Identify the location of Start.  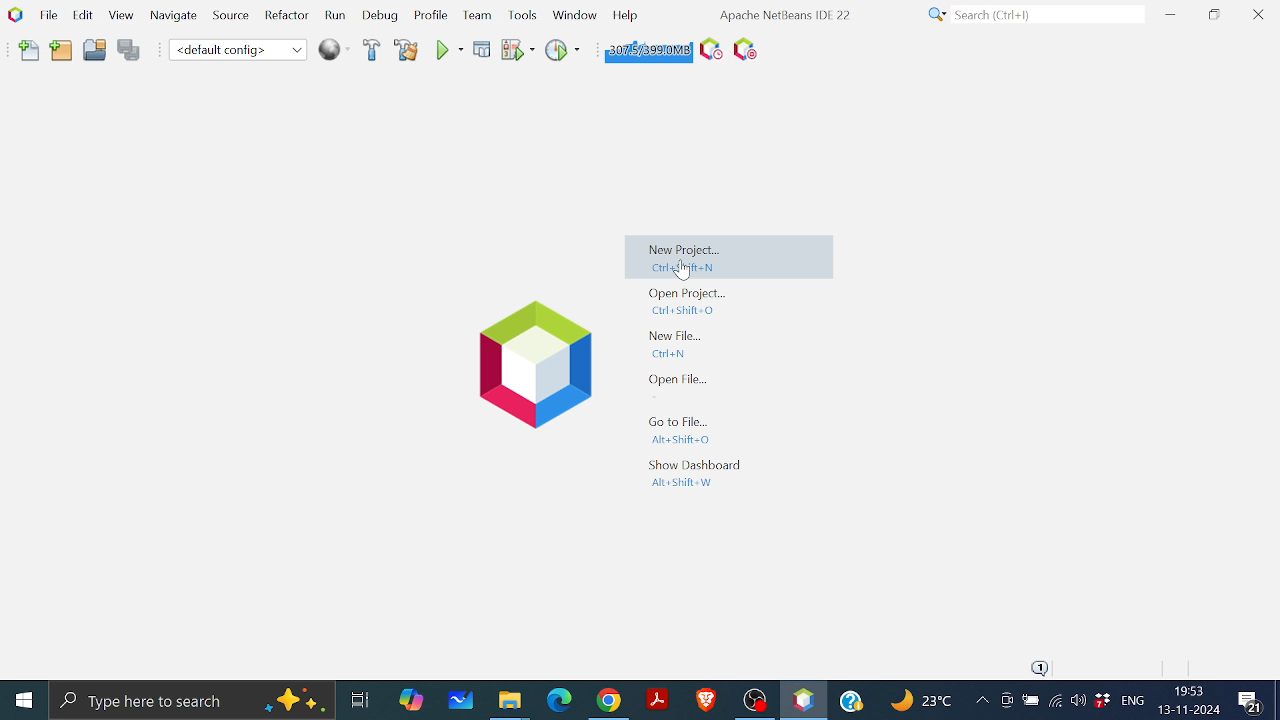
(26, 699).